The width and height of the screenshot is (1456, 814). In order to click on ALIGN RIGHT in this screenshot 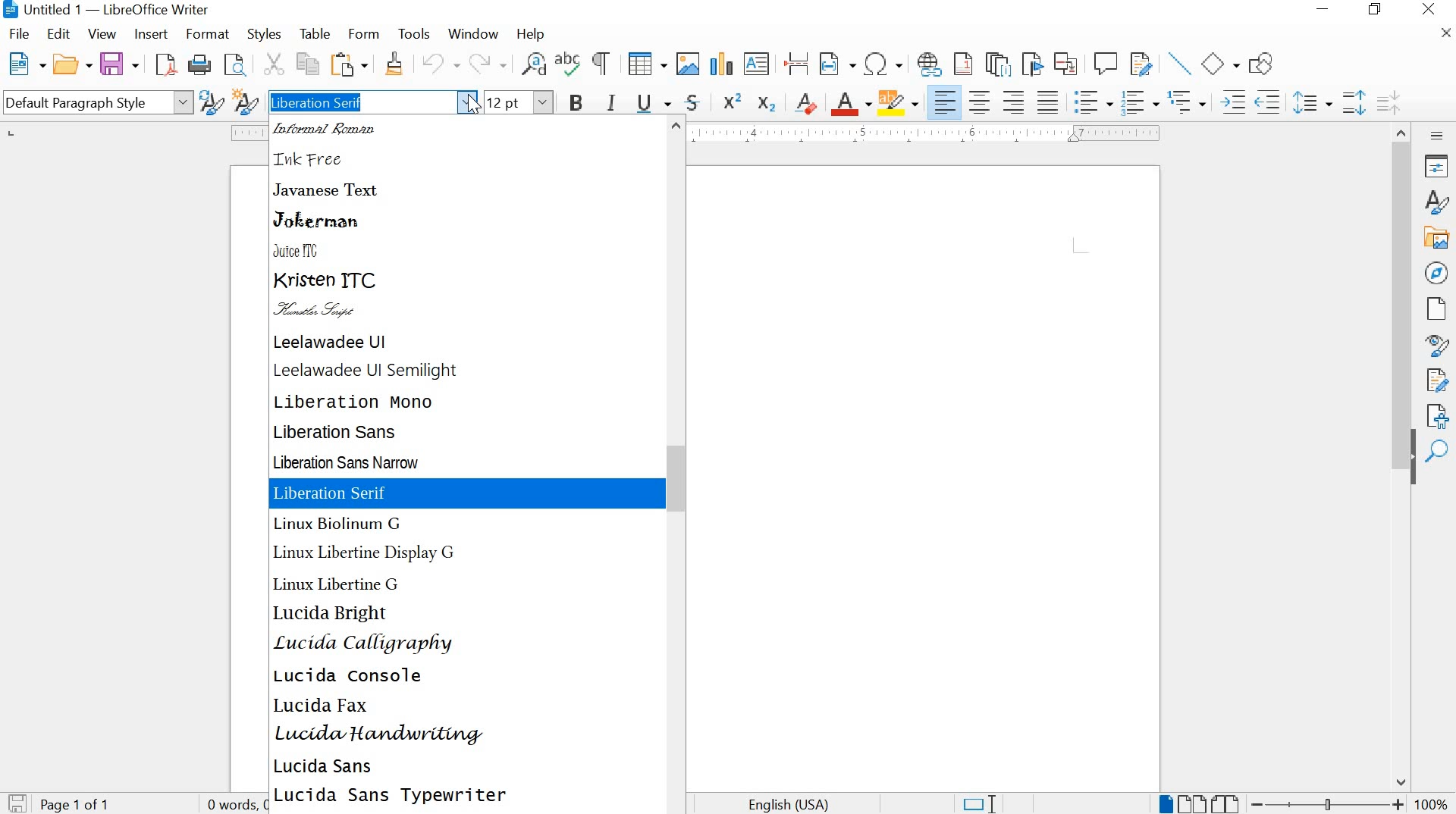, I will do `click(1016, 102)`.